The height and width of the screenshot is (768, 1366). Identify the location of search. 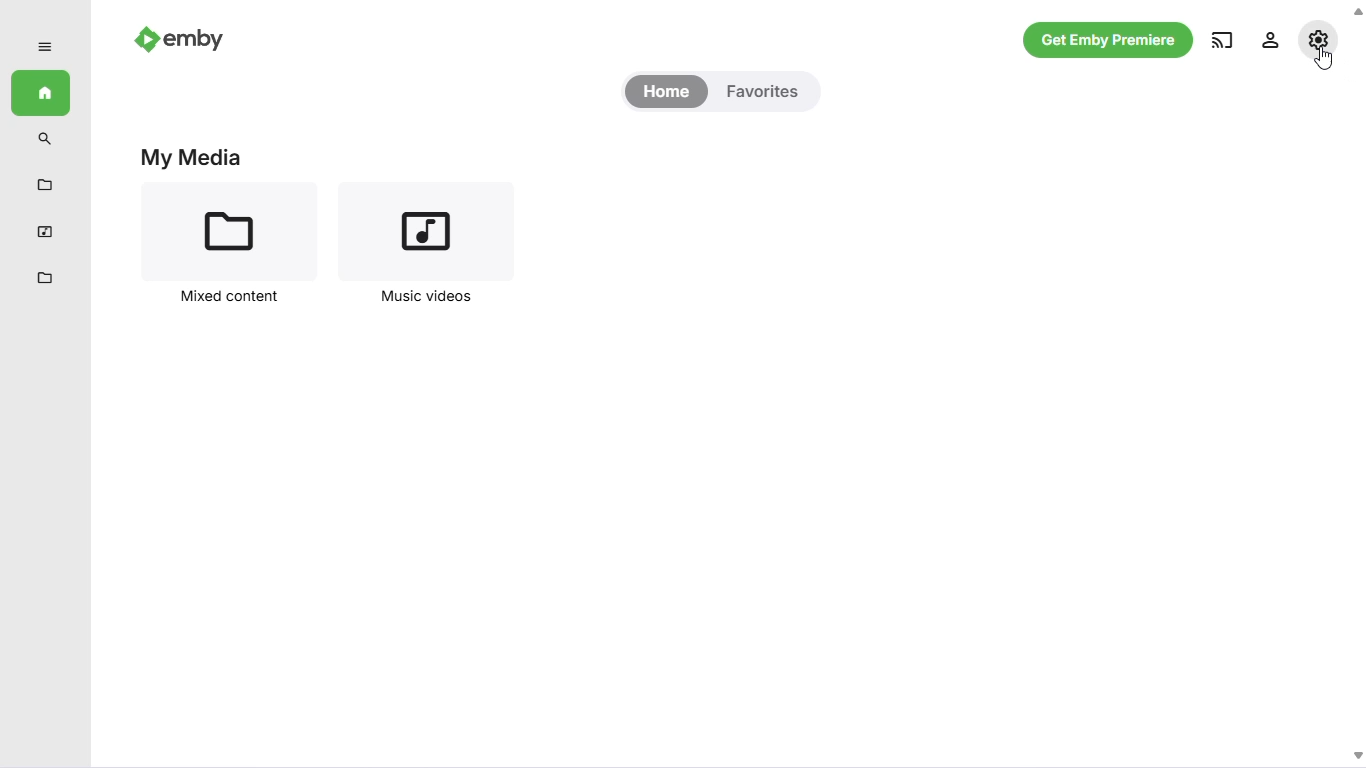
(46, 139).